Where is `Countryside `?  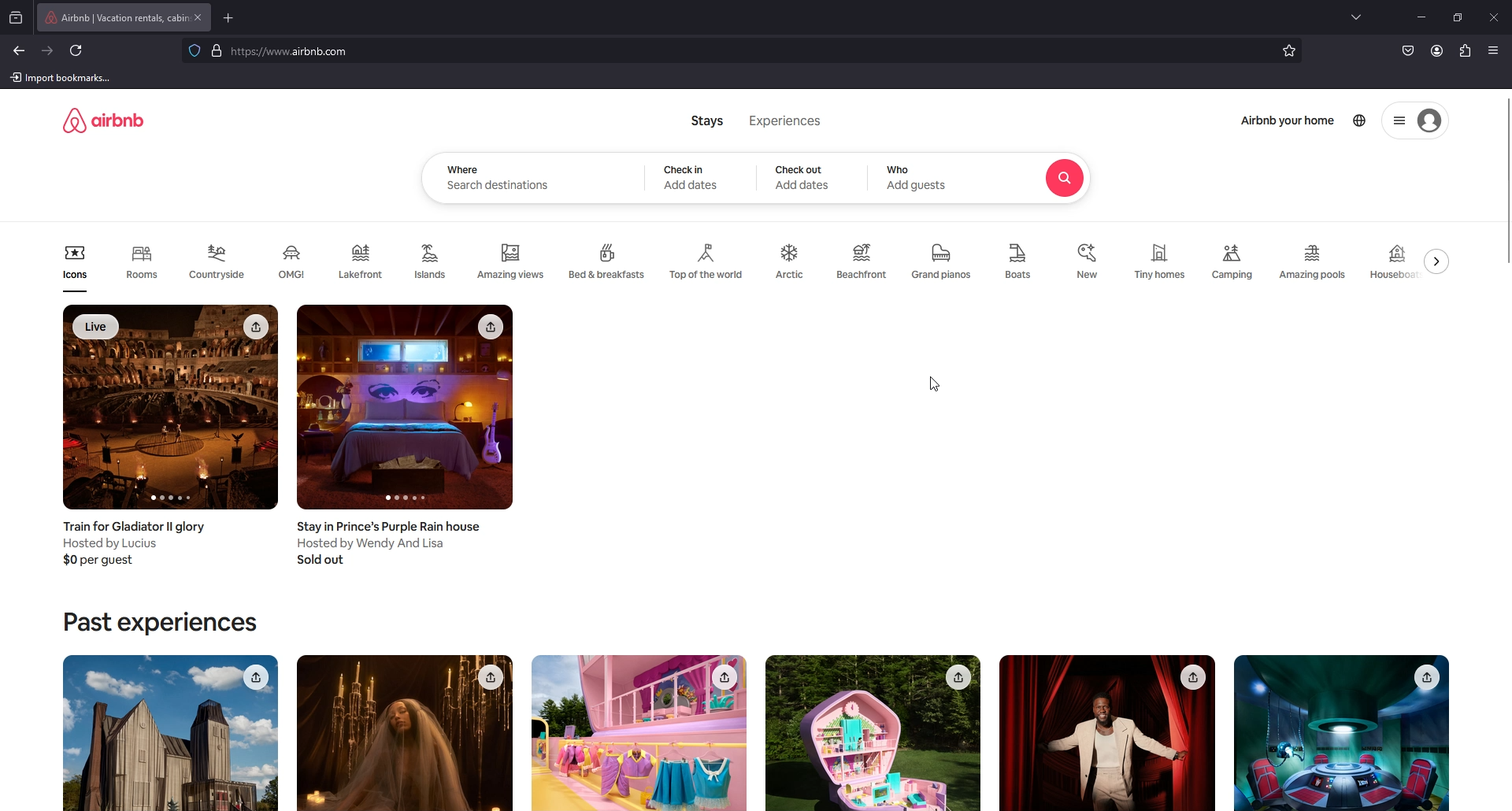
Countryside  is located at coordinates (220, 261).